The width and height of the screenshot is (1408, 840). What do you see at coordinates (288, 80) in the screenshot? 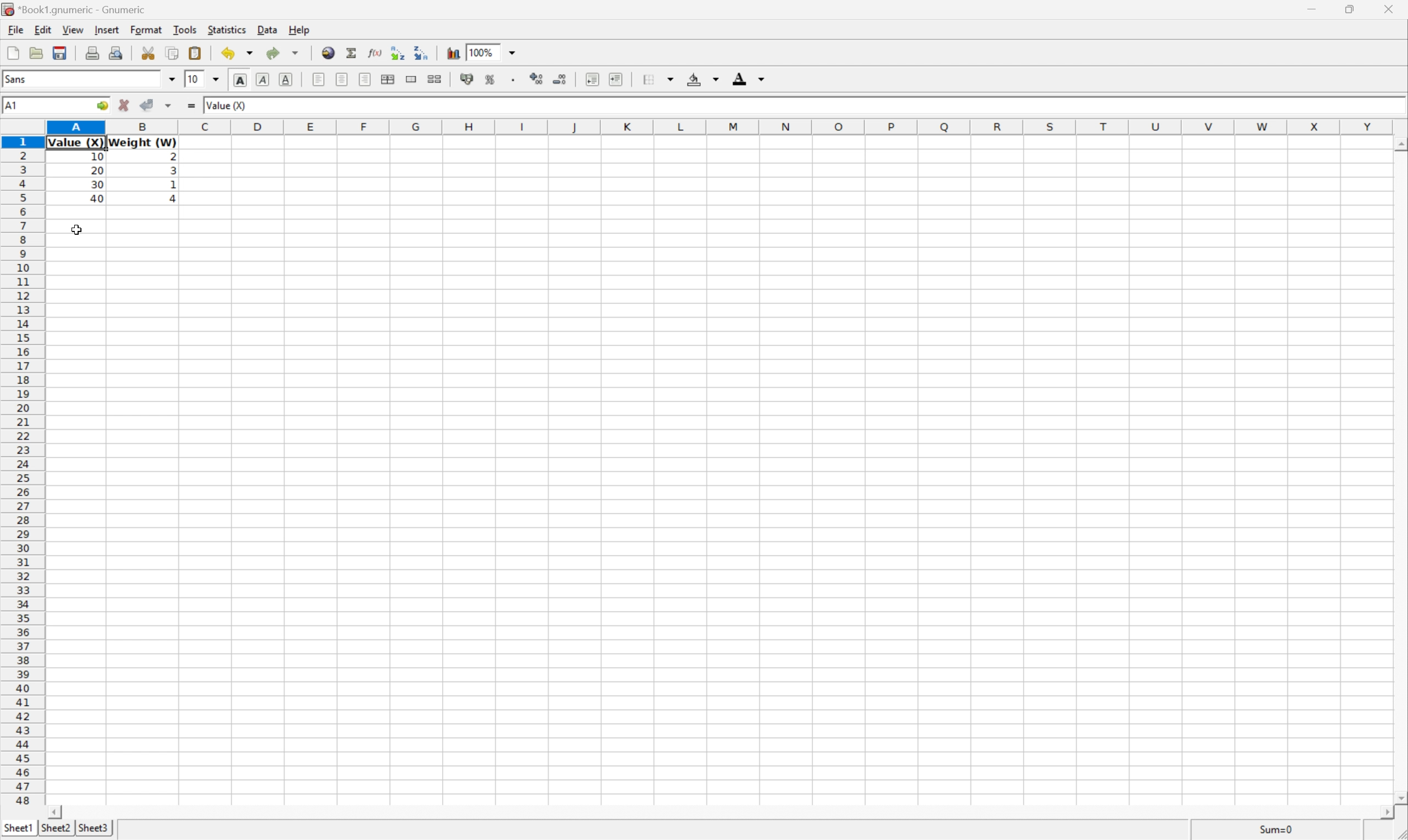
I see `Underline` at bounding box center [288, 80].